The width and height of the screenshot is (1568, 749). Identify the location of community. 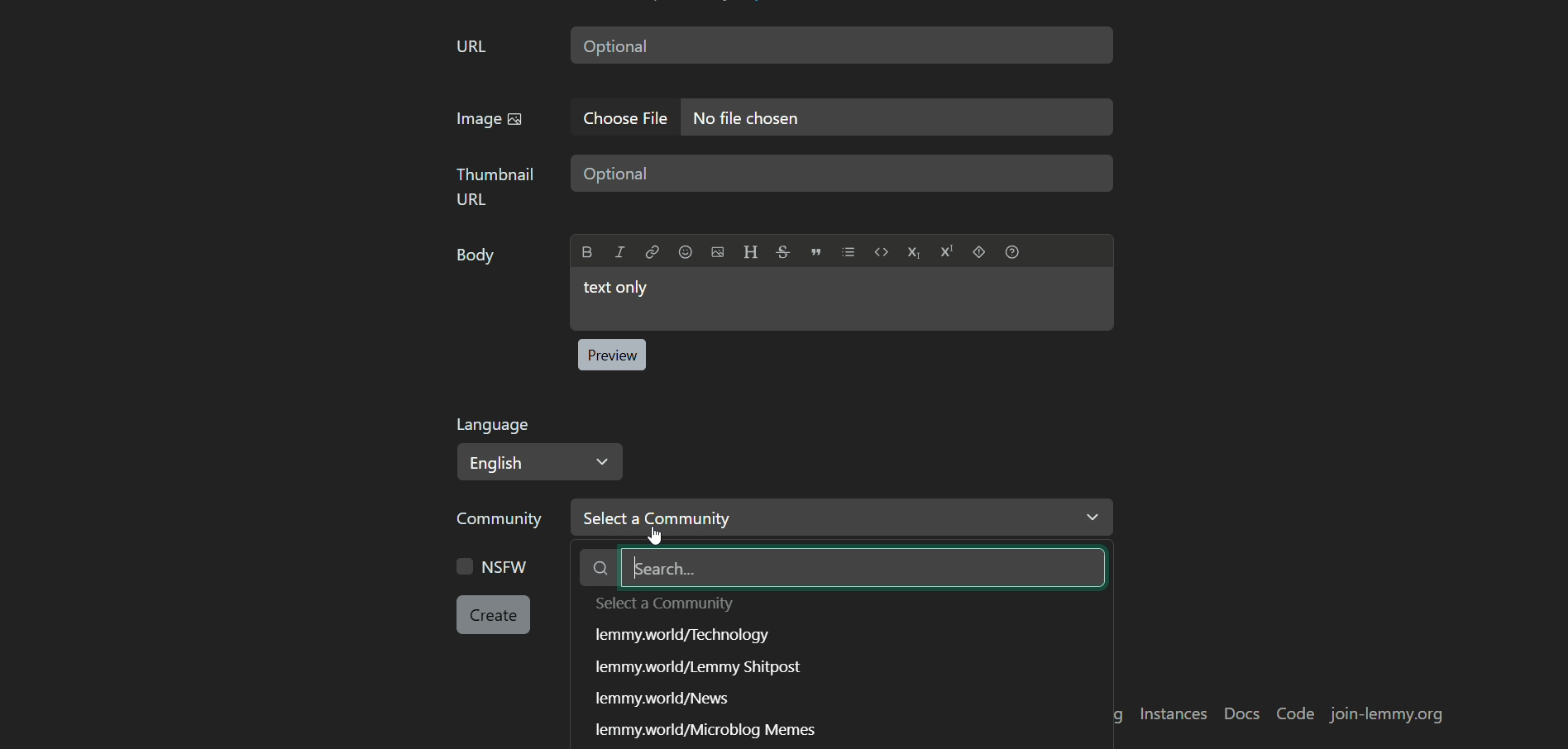
(504, 520).